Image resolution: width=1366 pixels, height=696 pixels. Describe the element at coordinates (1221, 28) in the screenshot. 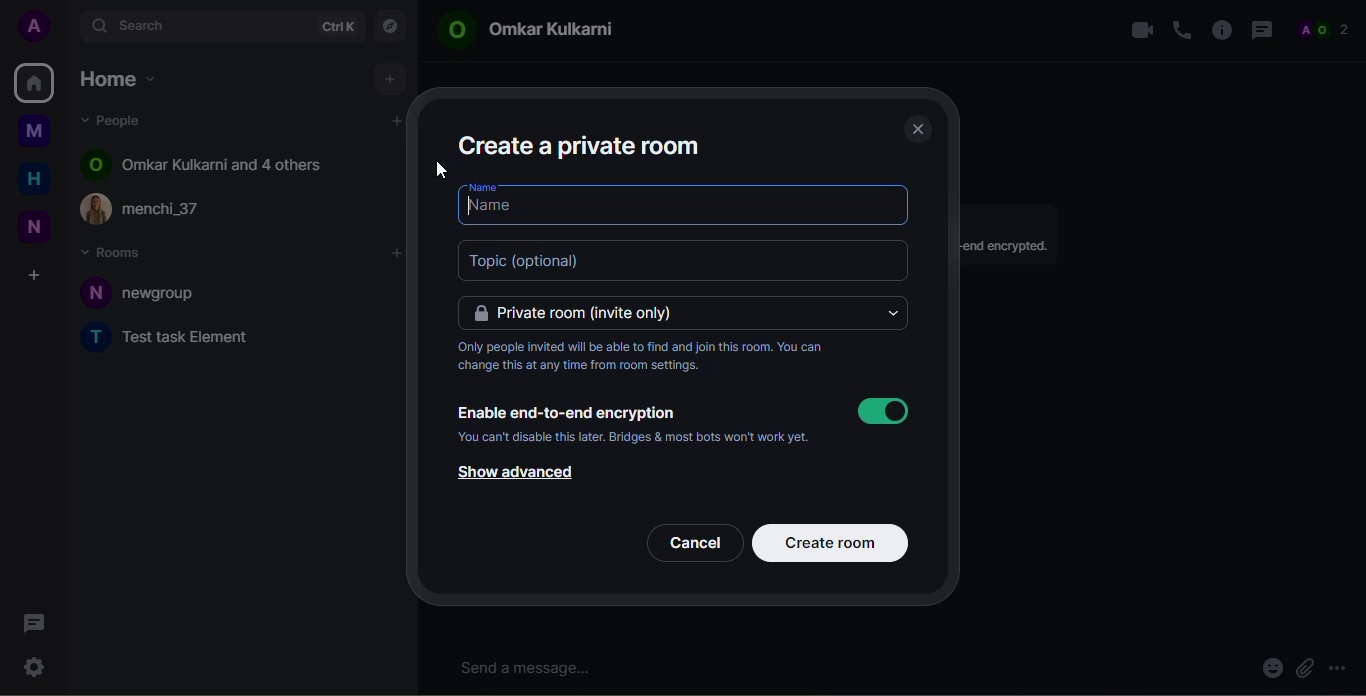

I see `info` at that location.